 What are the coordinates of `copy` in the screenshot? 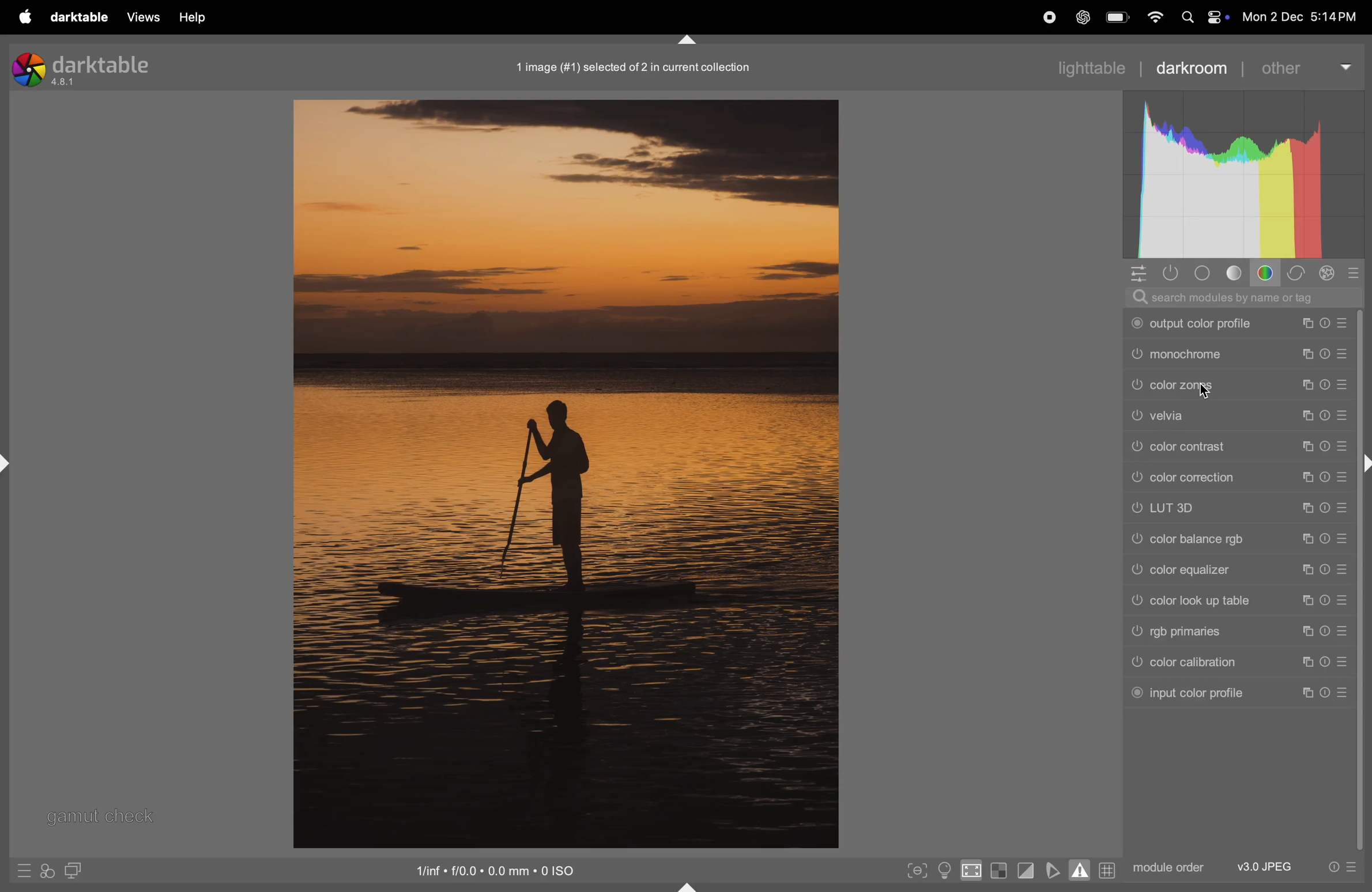 It's located at (1303, 324).